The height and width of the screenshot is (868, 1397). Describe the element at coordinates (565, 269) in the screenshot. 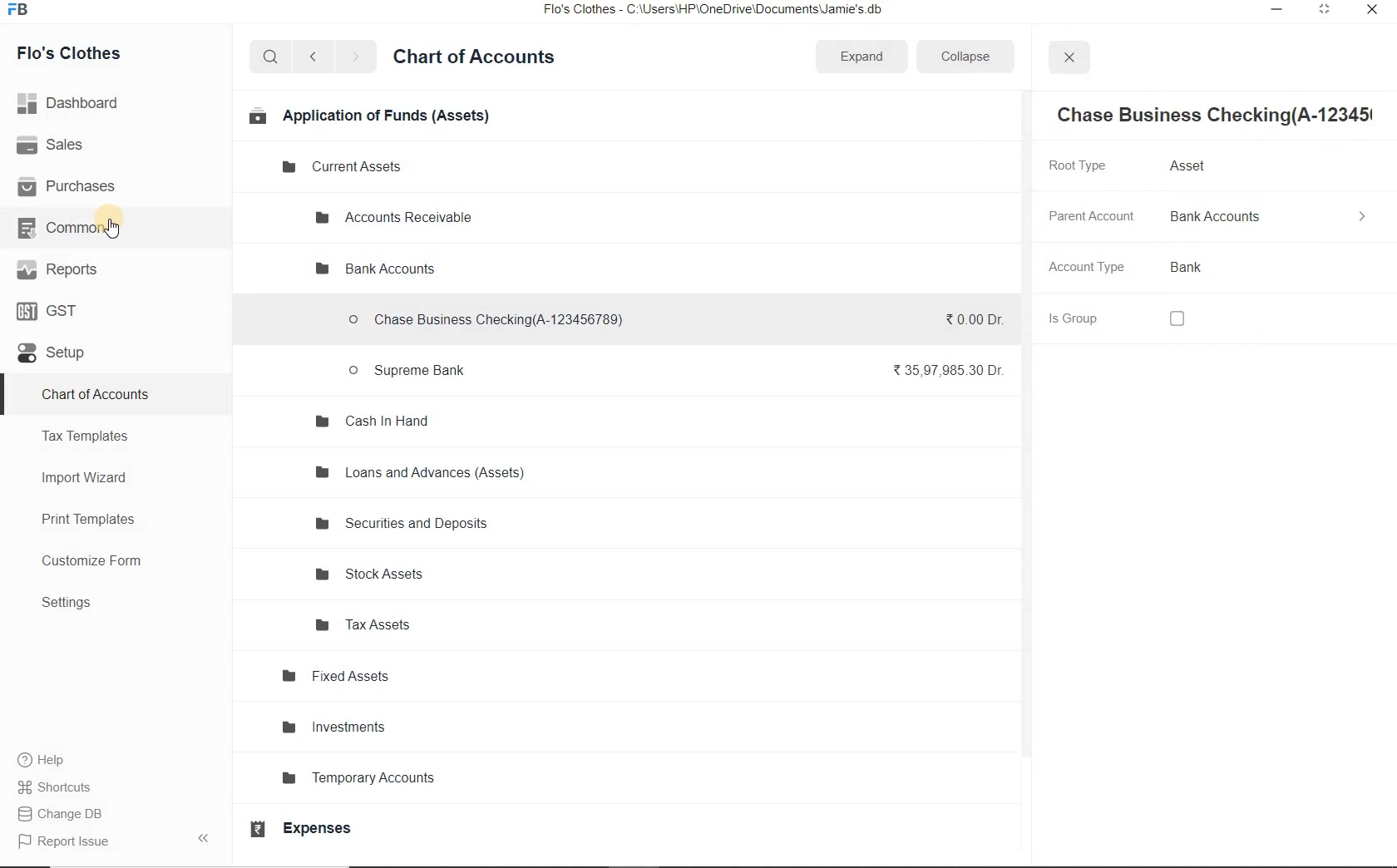

I see `Add Group` at that location.